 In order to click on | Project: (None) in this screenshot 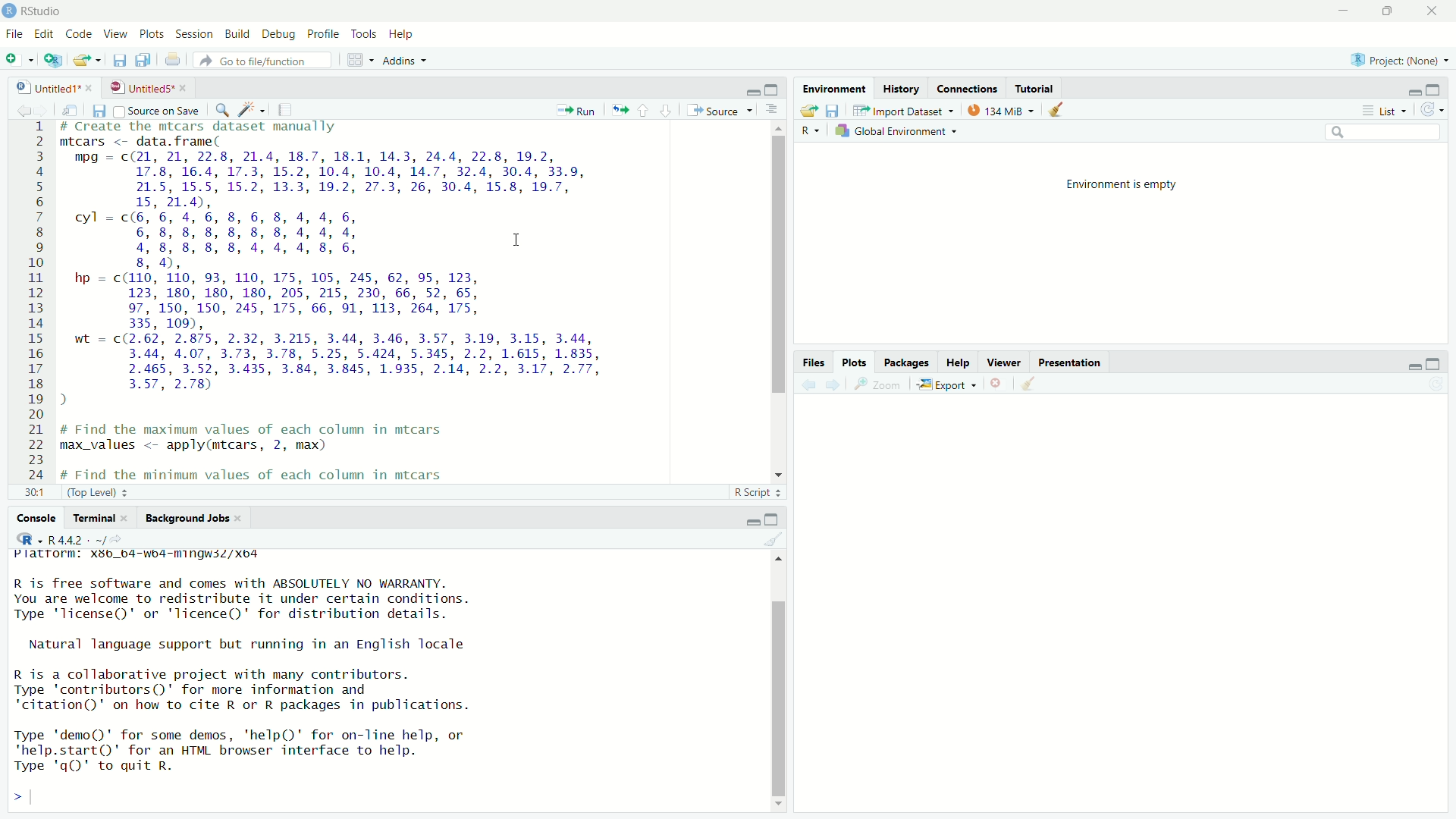, I will do `click(1397, 59)`.